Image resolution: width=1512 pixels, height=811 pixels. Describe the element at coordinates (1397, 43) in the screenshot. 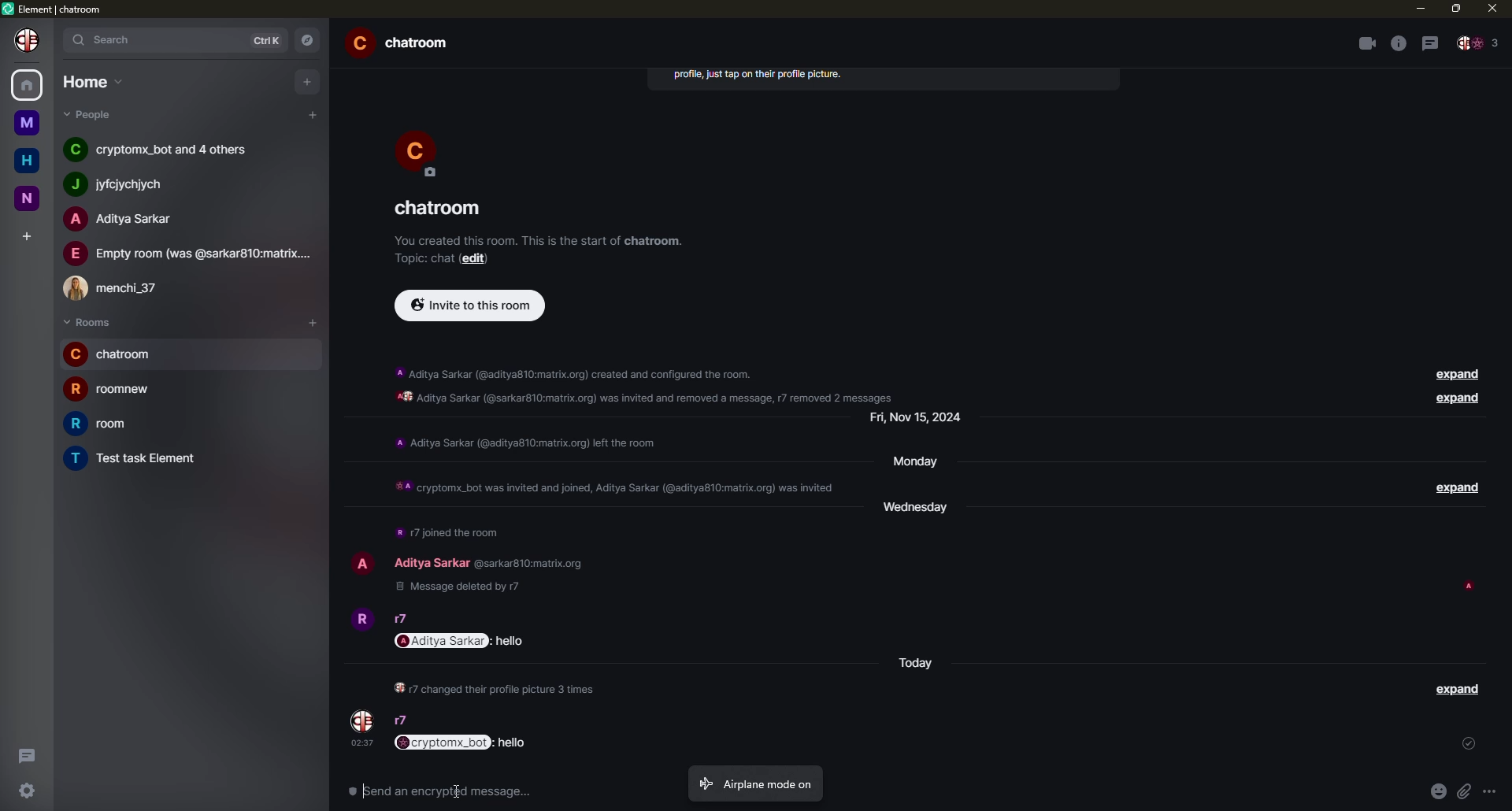

I see `info` at that location.